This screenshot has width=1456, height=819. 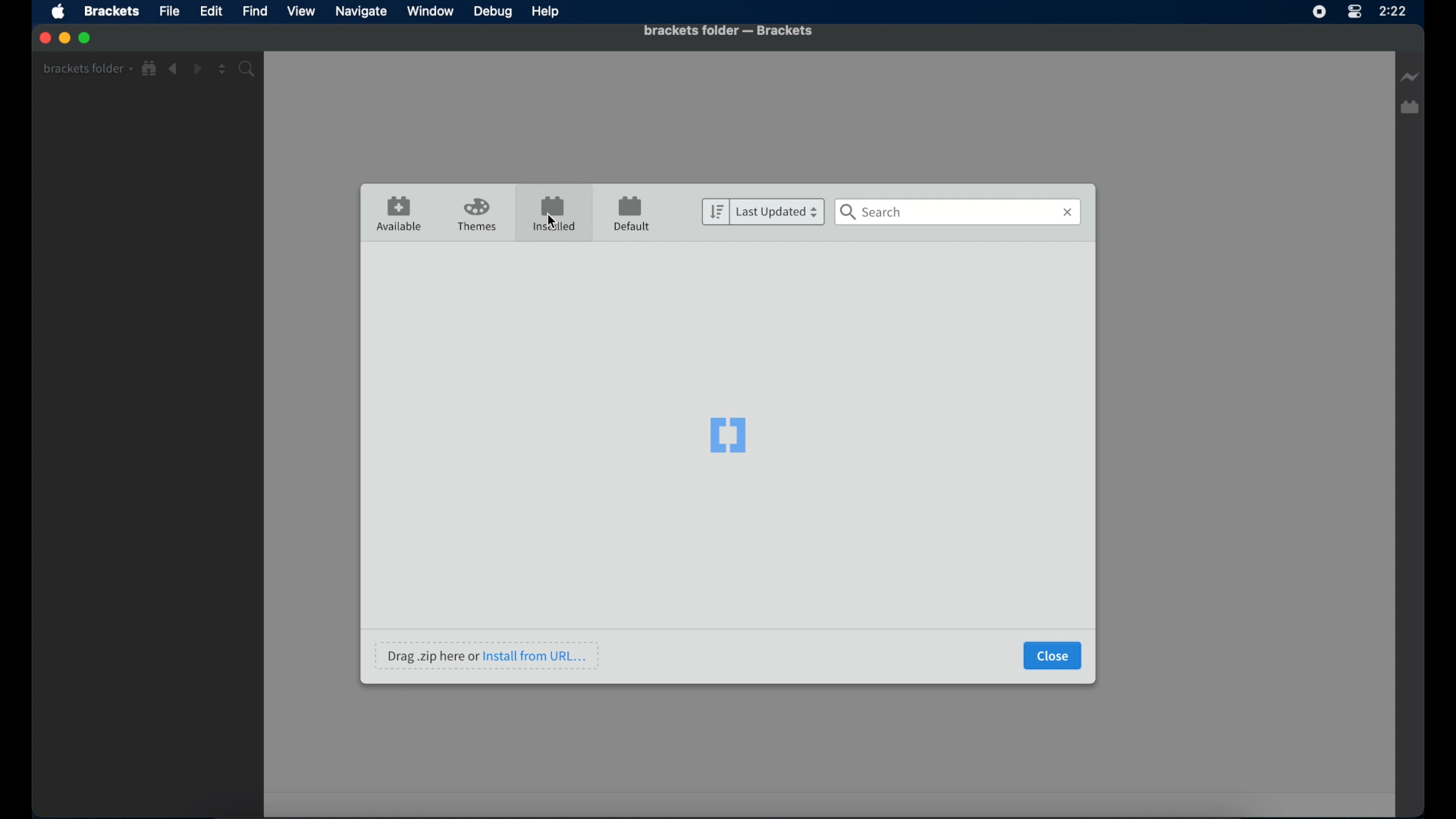 What do you see at coordinates (60, 13) in the screenshot?
I see `apple icon` at bounding box center [60, 13].